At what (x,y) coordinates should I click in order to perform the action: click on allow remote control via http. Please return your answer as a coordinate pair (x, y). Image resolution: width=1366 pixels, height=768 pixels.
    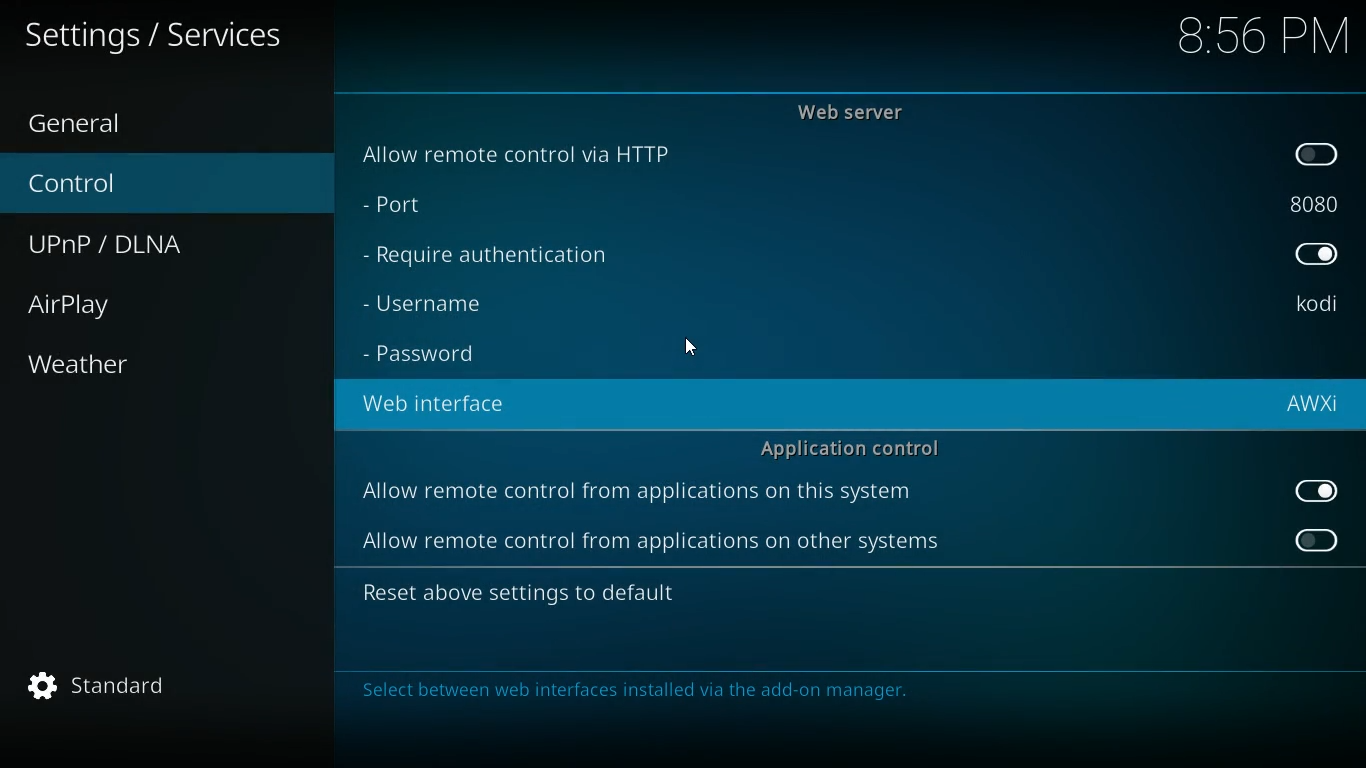
    Looking at the image, I should click on (529, 153).